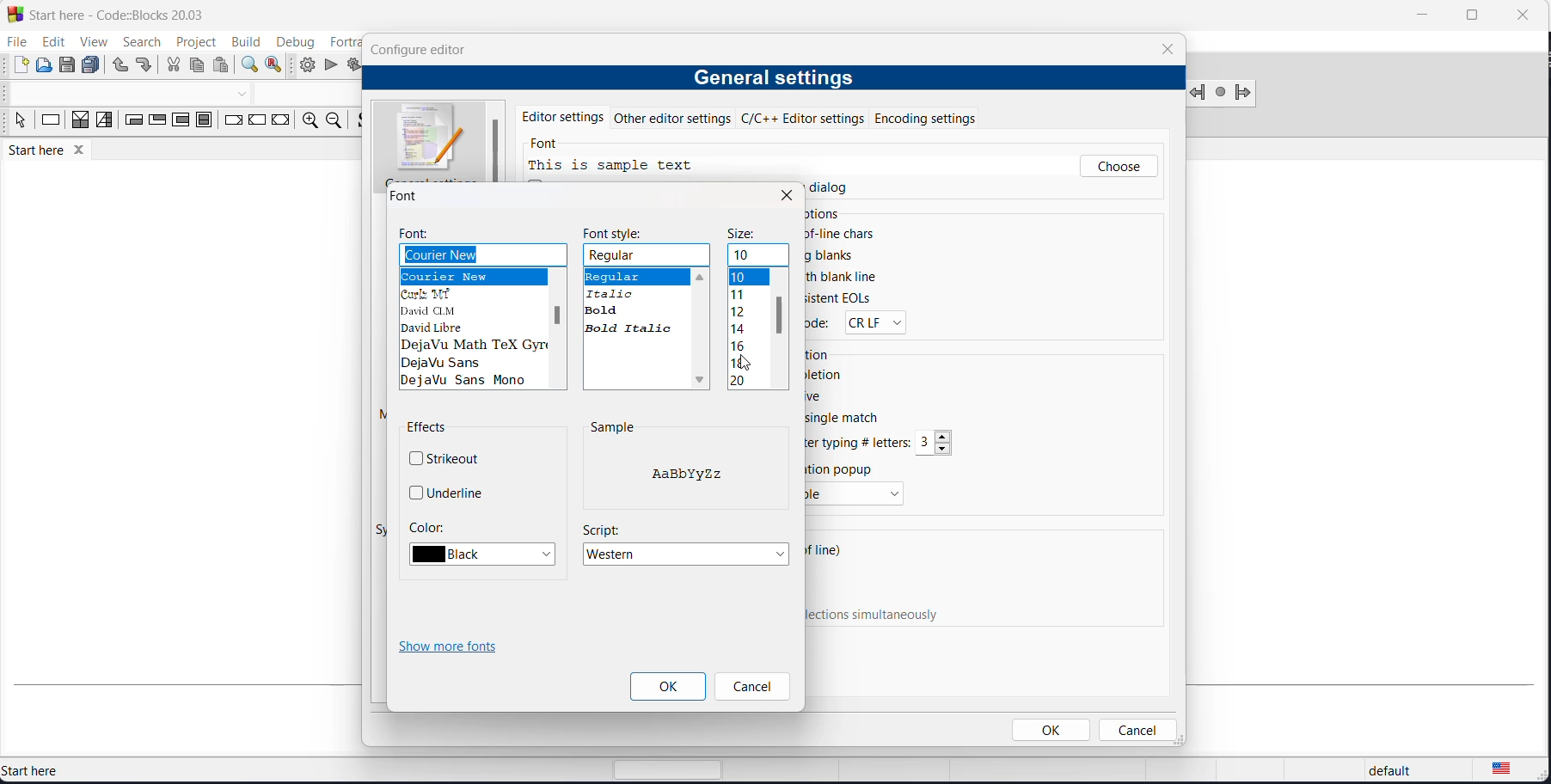  Describe the element at coordinates (277, 65) in the screenshot. I see `replace` at that location.